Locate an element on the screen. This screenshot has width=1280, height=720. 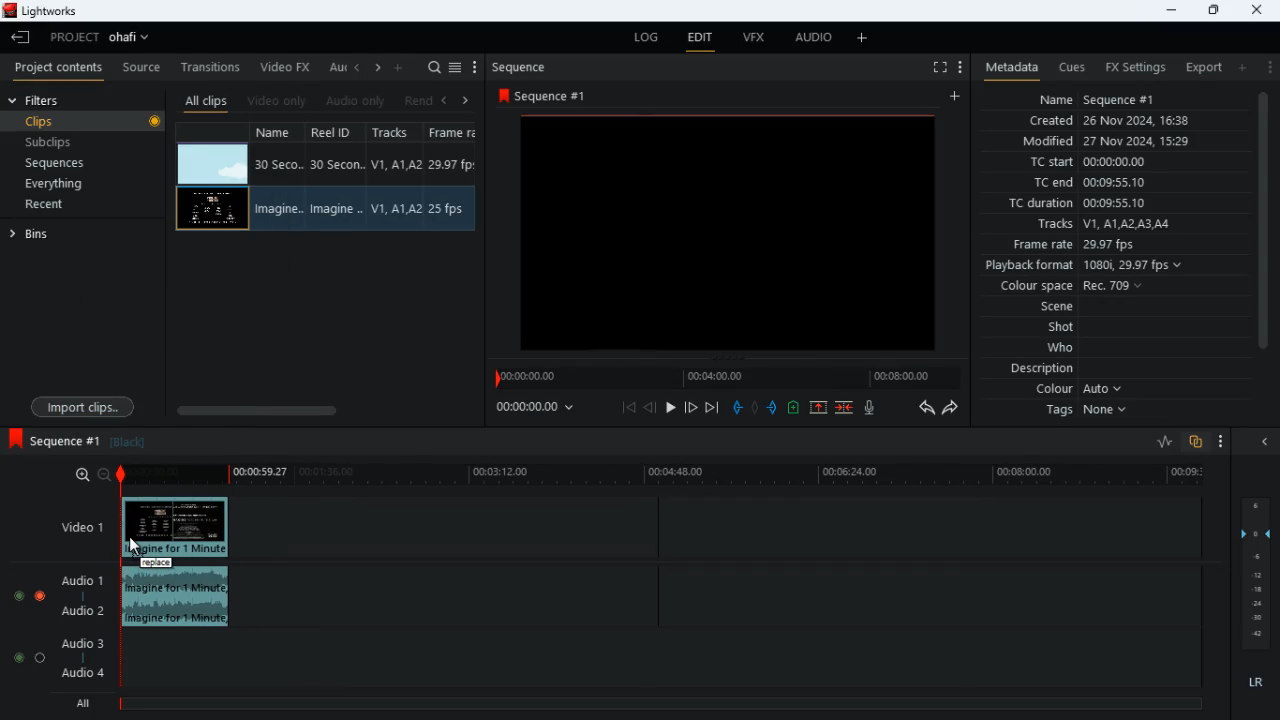
Mouse Cursor is located at coordinates (135, 550).